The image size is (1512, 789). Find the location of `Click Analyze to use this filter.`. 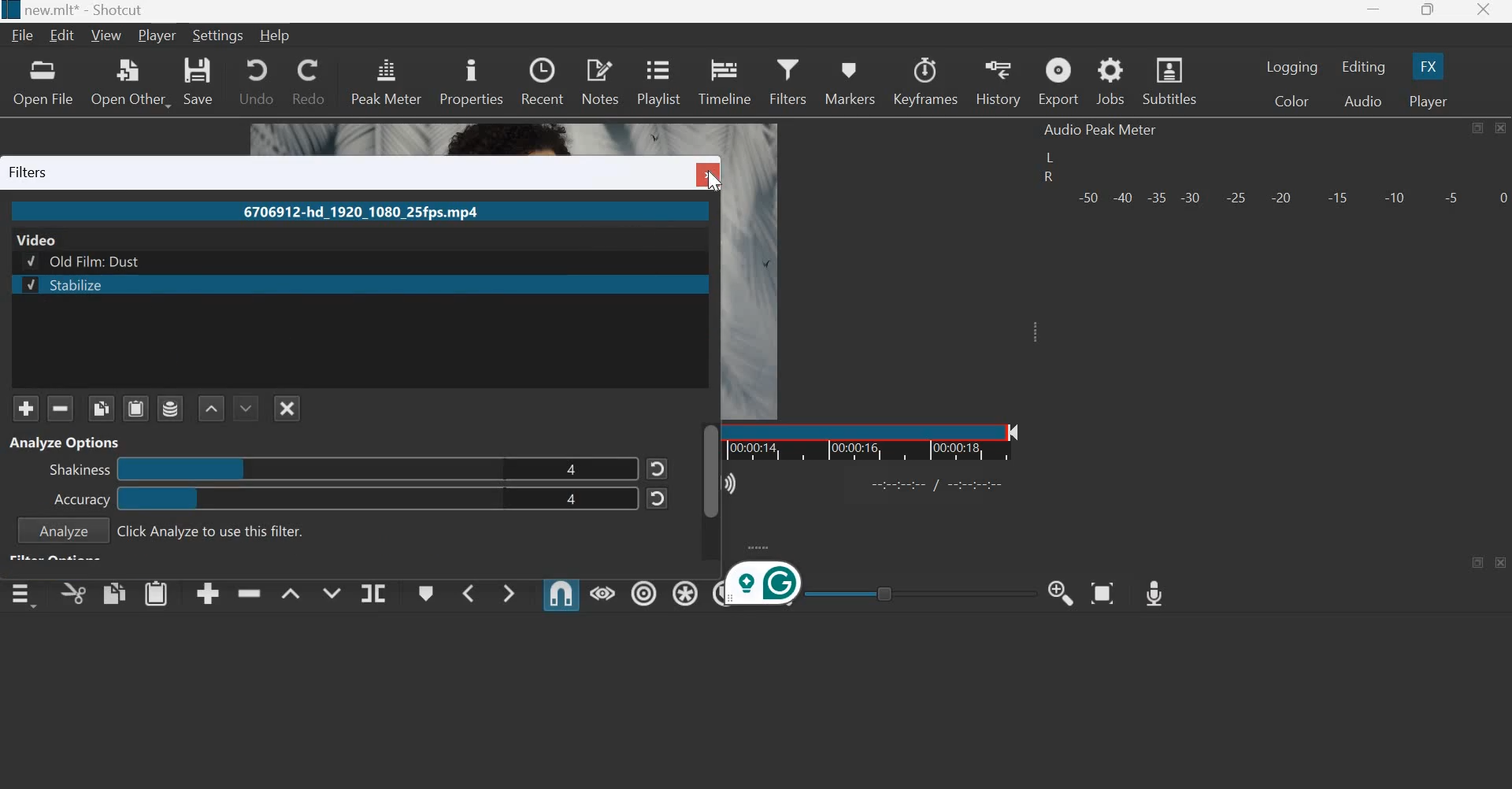

Click Analyze to use this filter. is located at coordinates (213, 532).